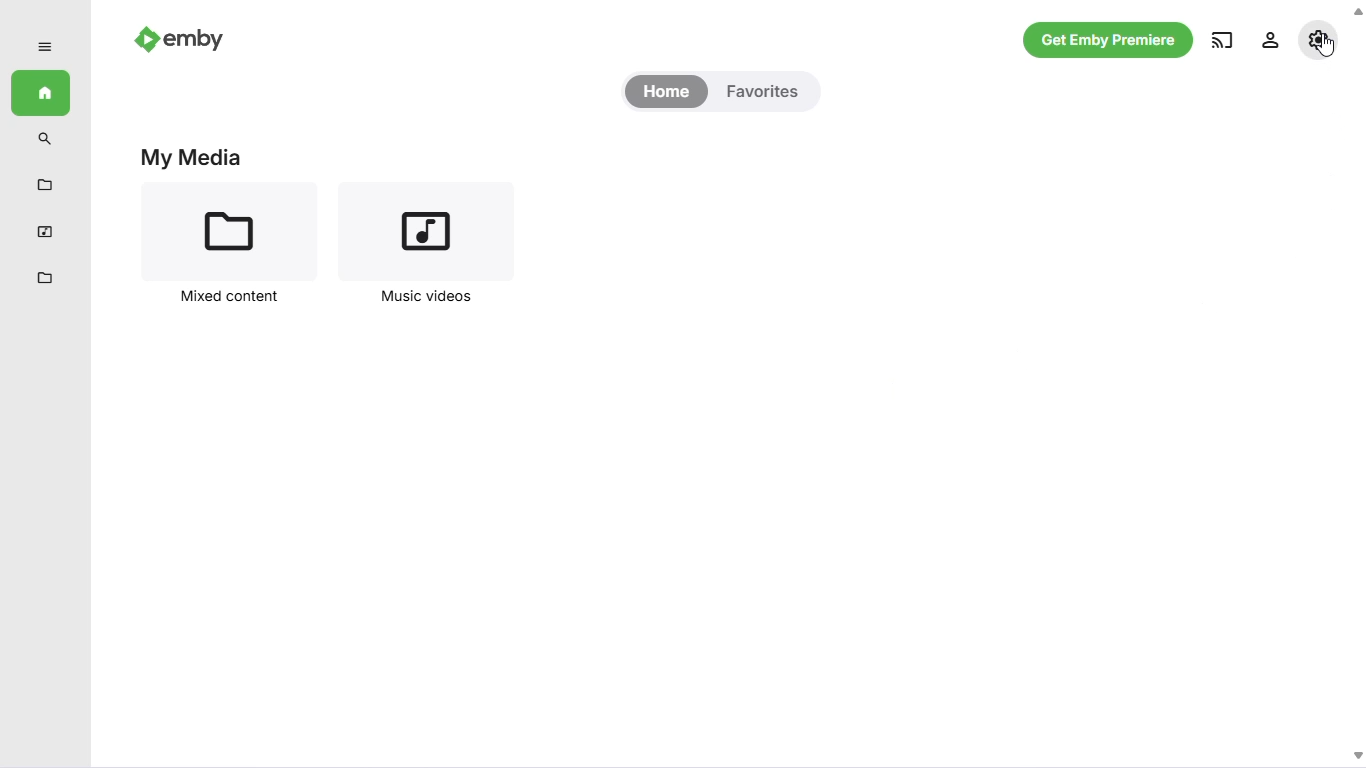 The image size is (1366, 768). I want to click on mixed content, so click(229, 246).